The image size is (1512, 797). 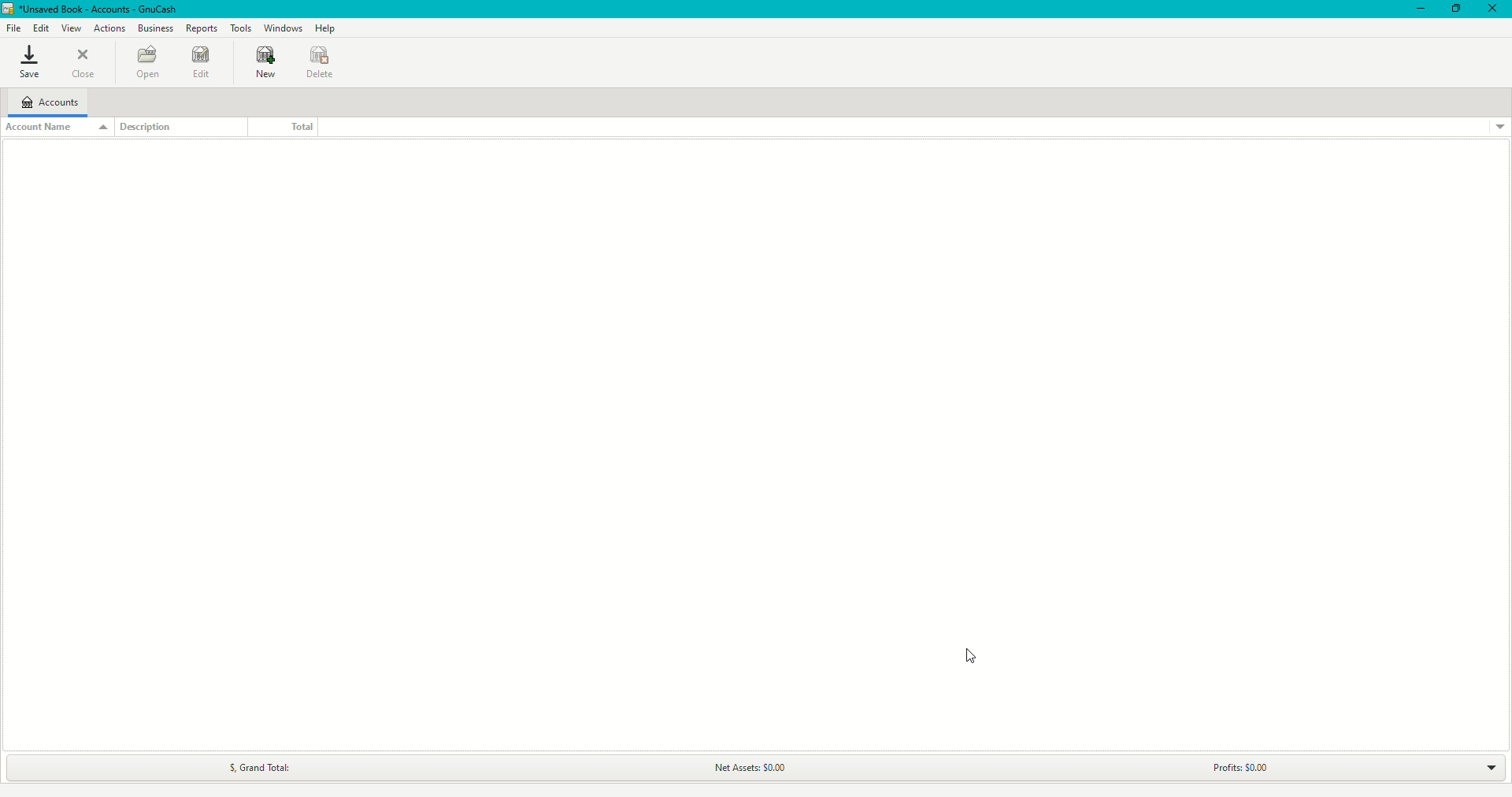 I want to click on View, so click(x=69, y=28).